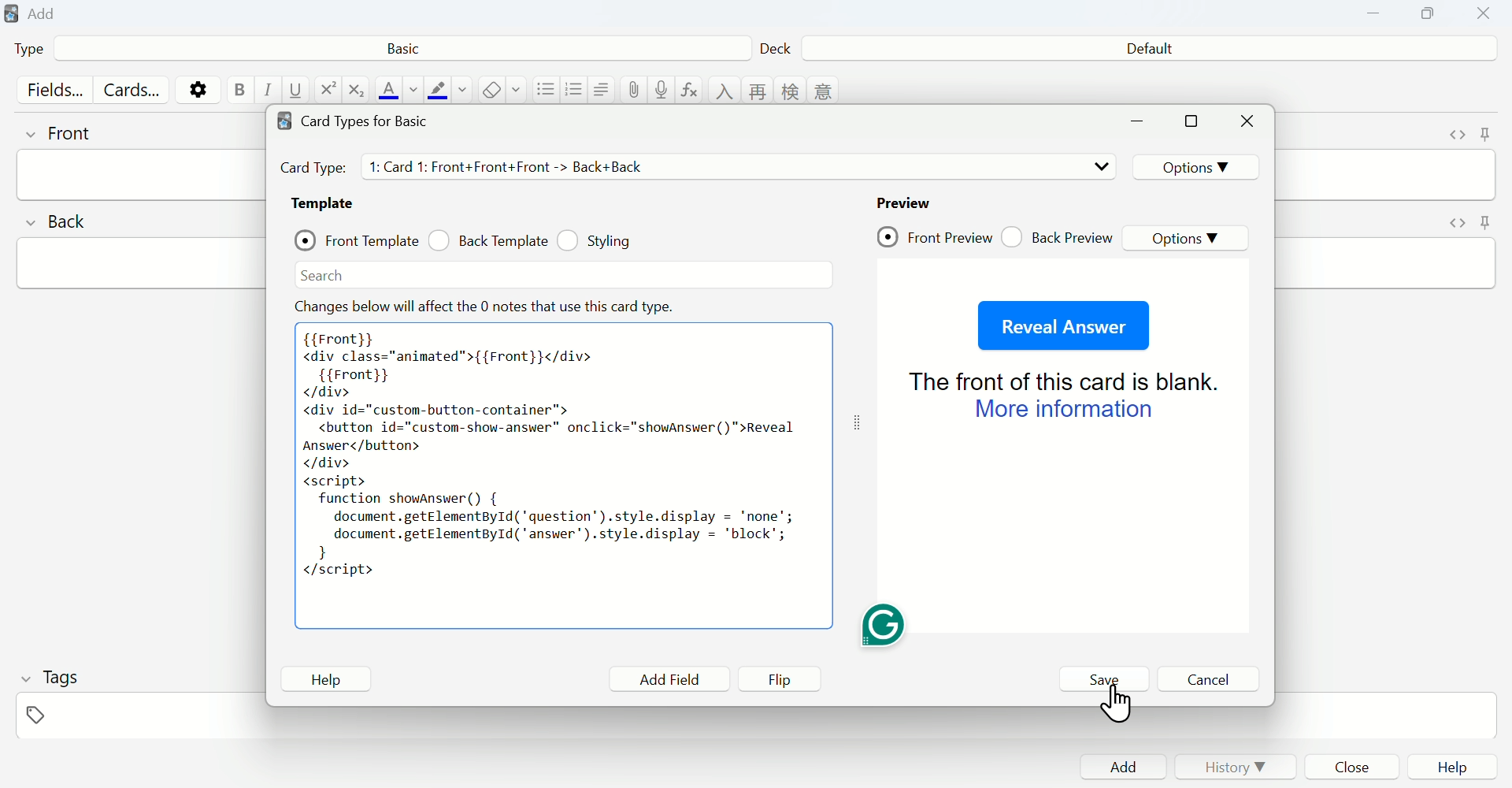 Image resolution: width=1512 pixels, height=788 pixels. Describe the element at coordinates (1485, 222) in the screenshot. I see `toggle sticky` at that location.